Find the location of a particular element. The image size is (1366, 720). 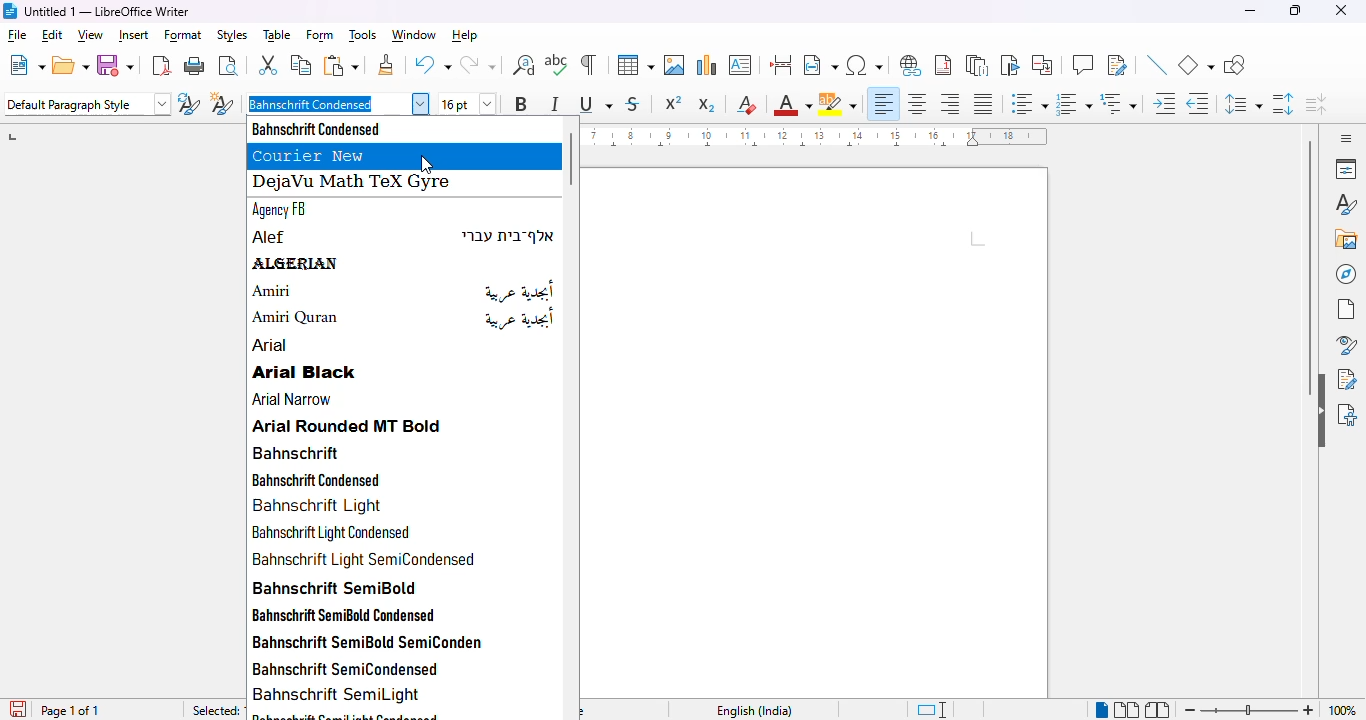

font size is located at coordinates (468, 104).